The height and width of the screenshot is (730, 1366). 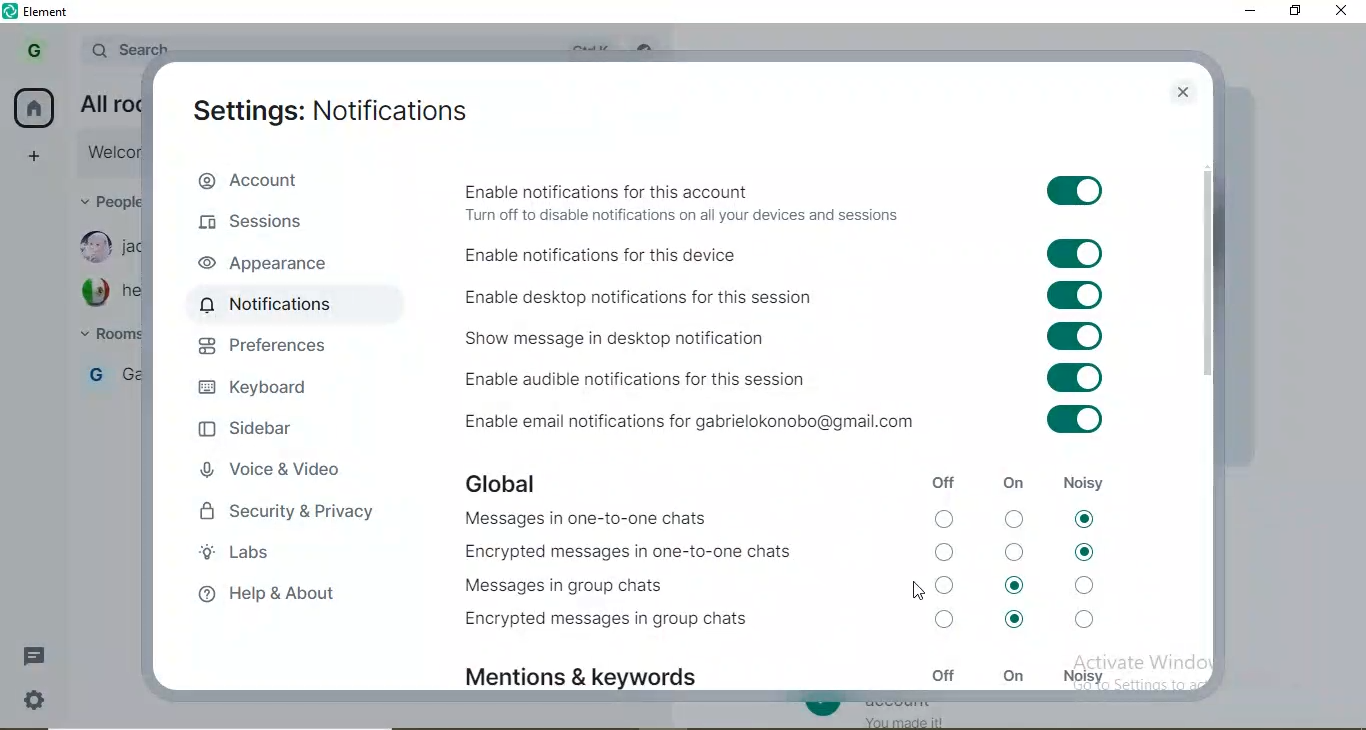 What do you see at coordinates (282, 304) in the screenshot?
I see `notifications` at bounding box center [282, 304].